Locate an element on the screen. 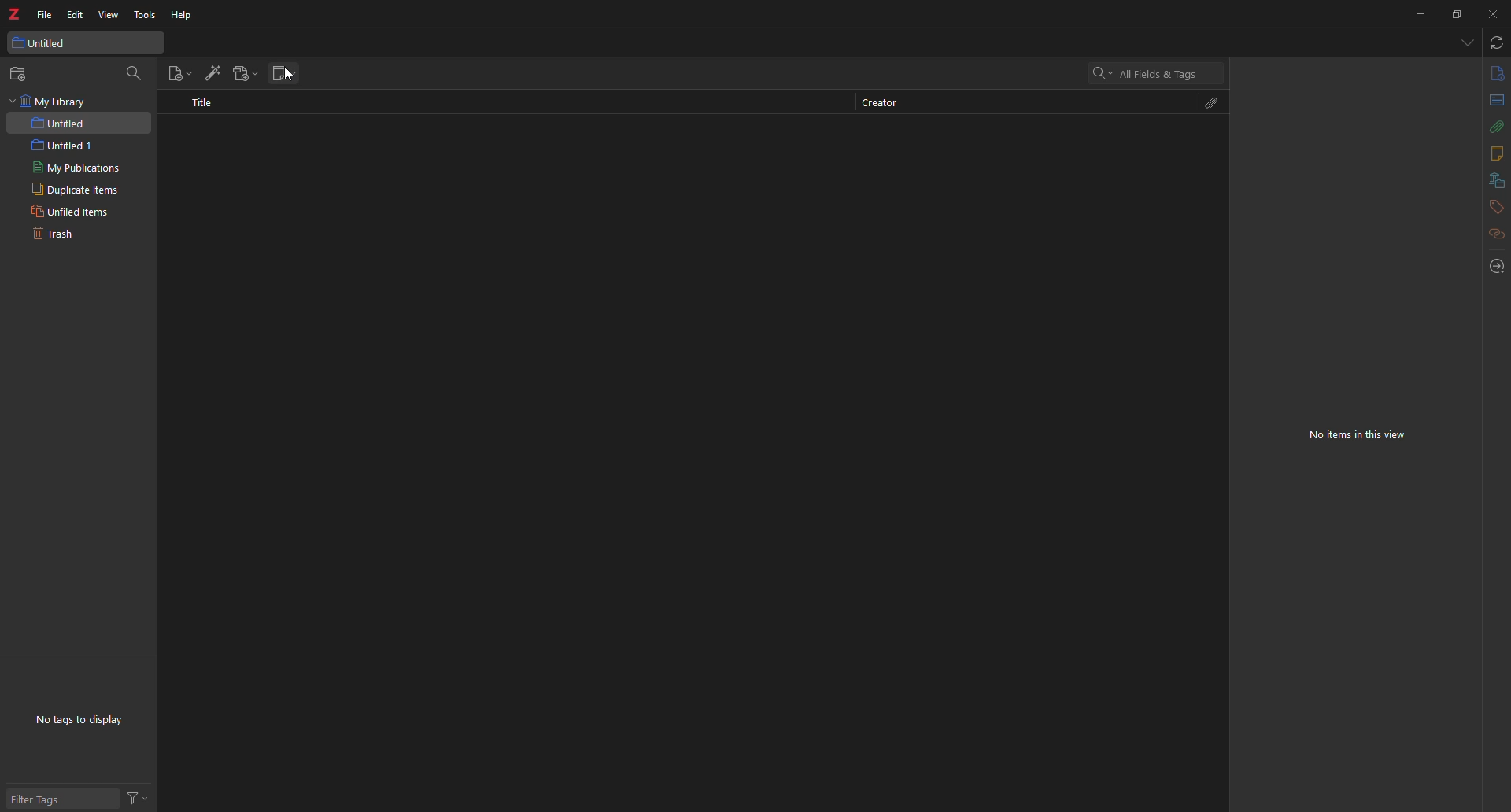  related is located at coordinates (1489, 235).